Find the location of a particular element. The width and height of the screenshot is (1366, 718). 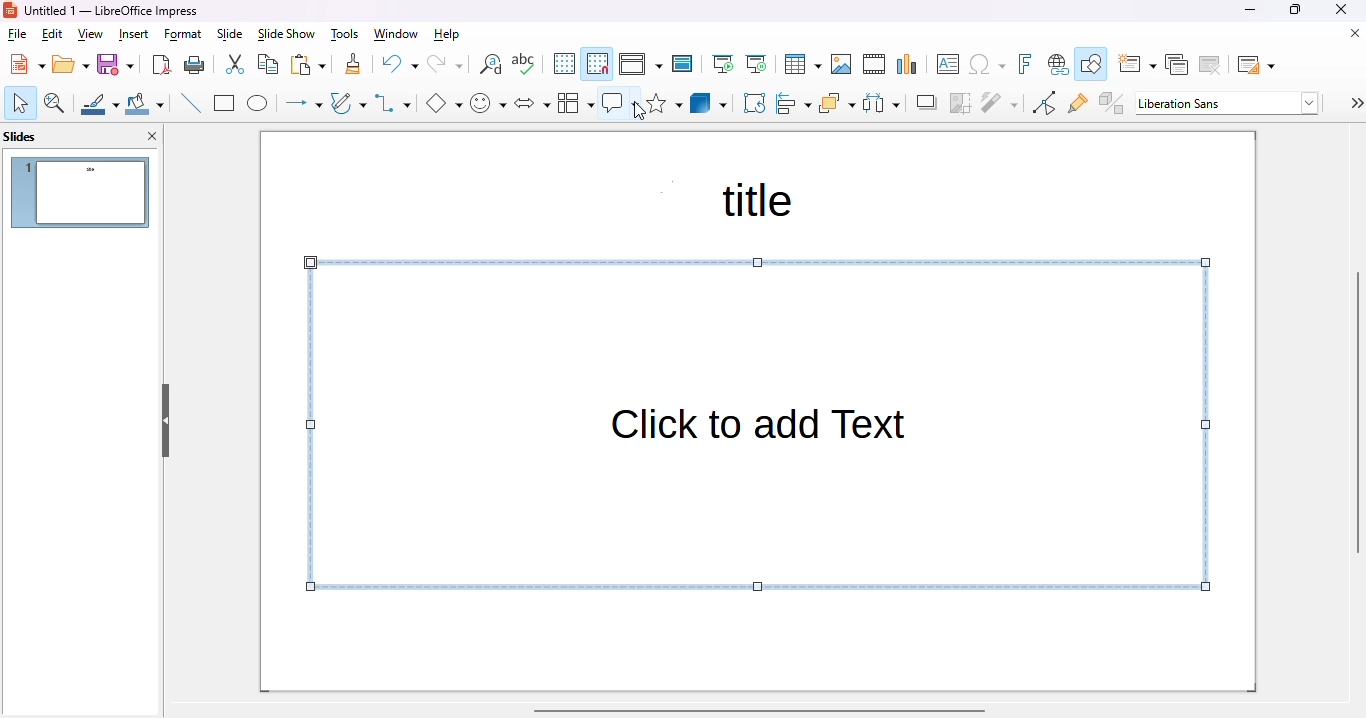

snap to grid is located at coordinates (598, 64).